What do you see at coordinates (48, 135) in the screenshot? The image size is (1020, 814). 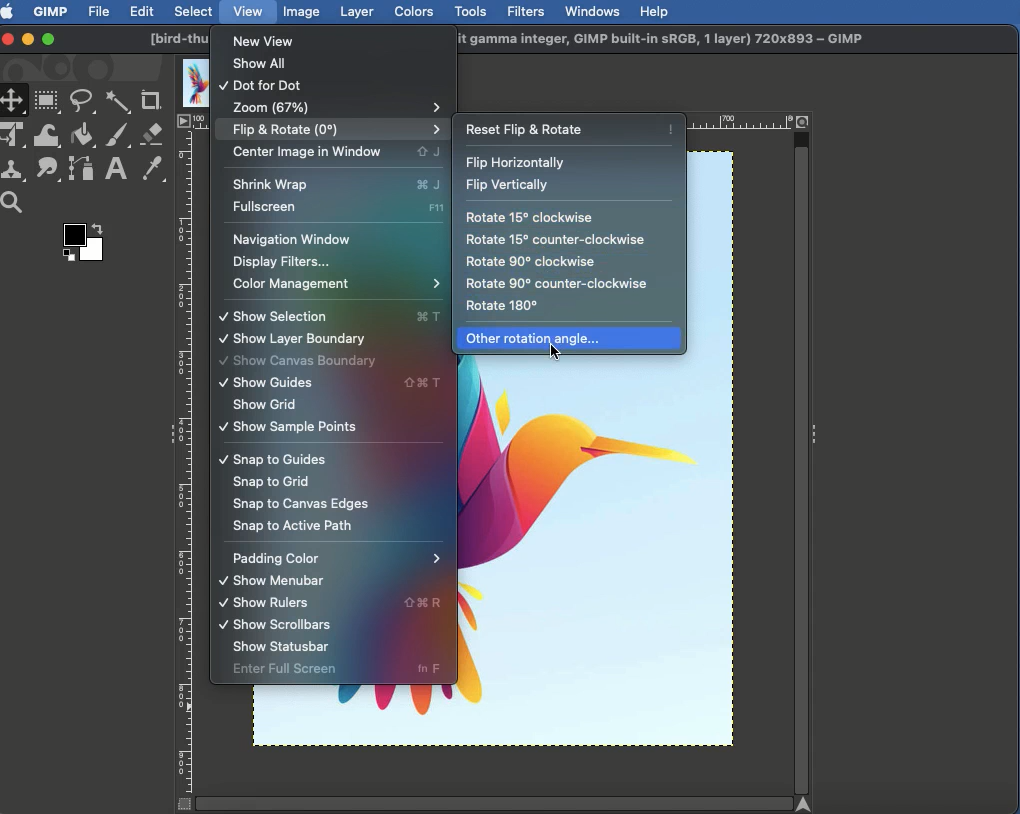 I see `Warp transformation` at bounding box center [48, 135].